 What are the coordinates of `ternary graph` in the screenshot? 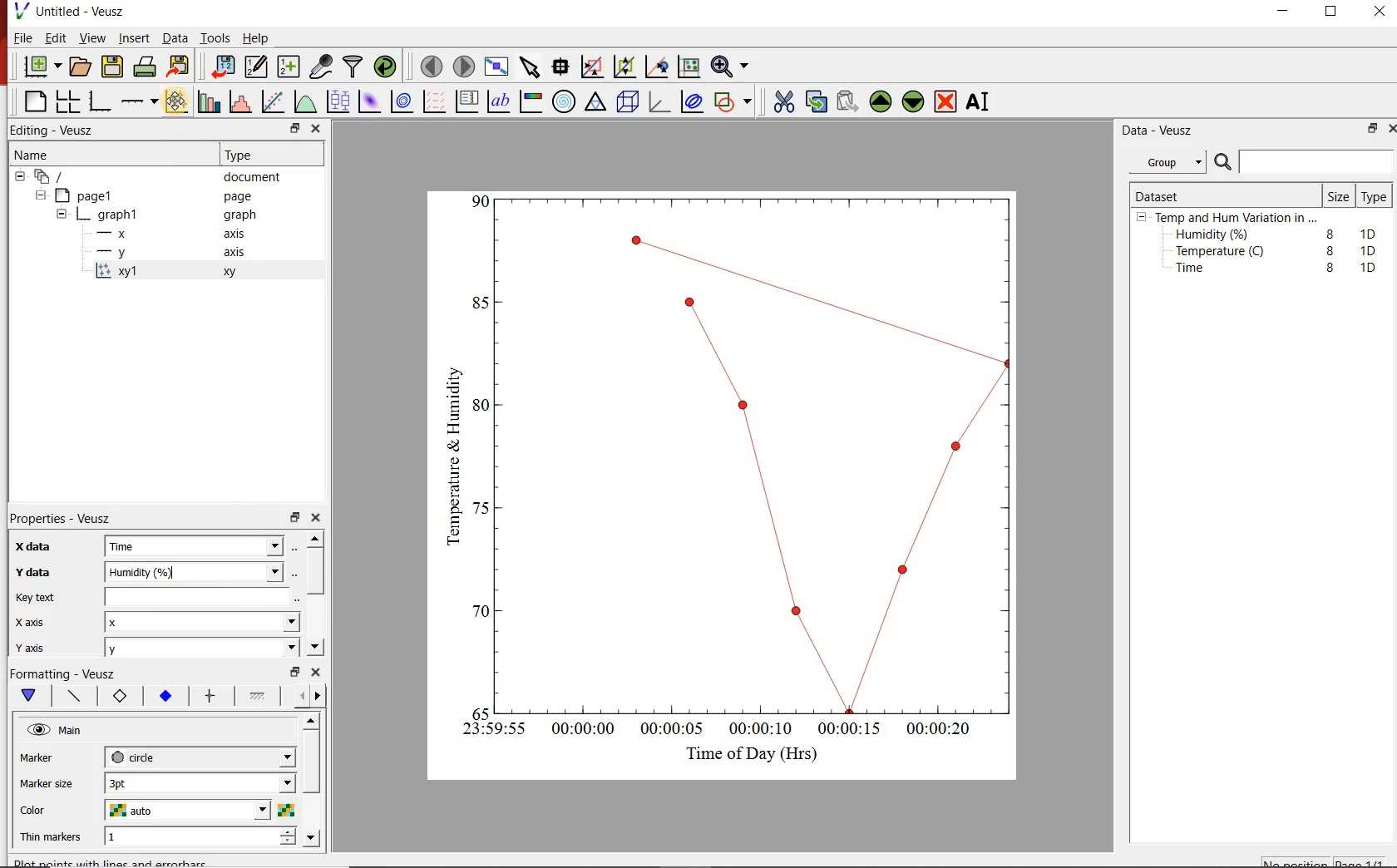 It's located at (597, 104).